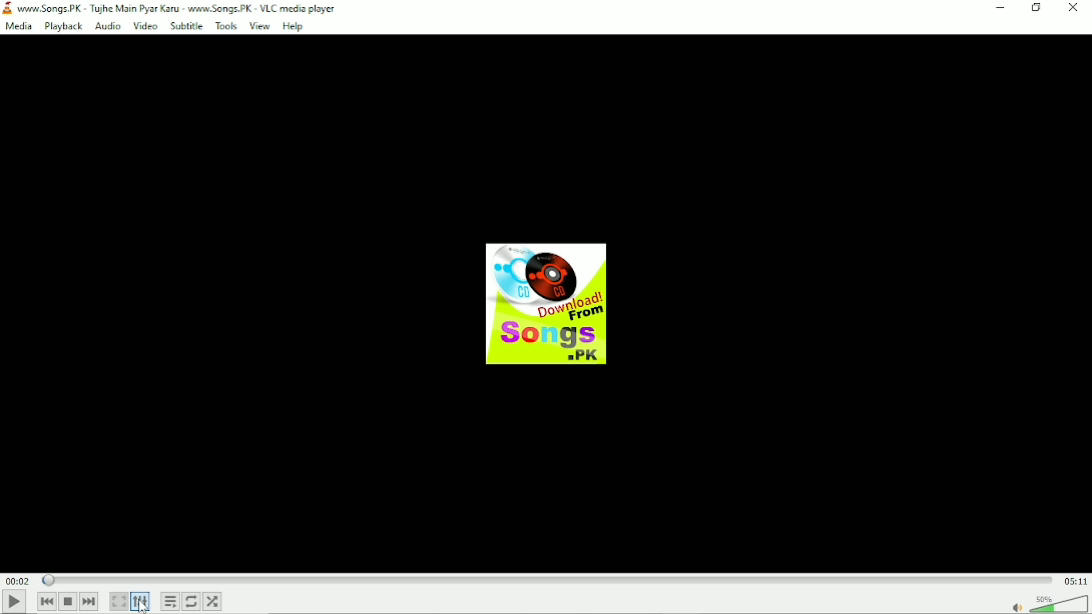  What do you see at coordinates (1001, 8) in the screenshot?
I see `minimize` at bounding box center [1001, 8].